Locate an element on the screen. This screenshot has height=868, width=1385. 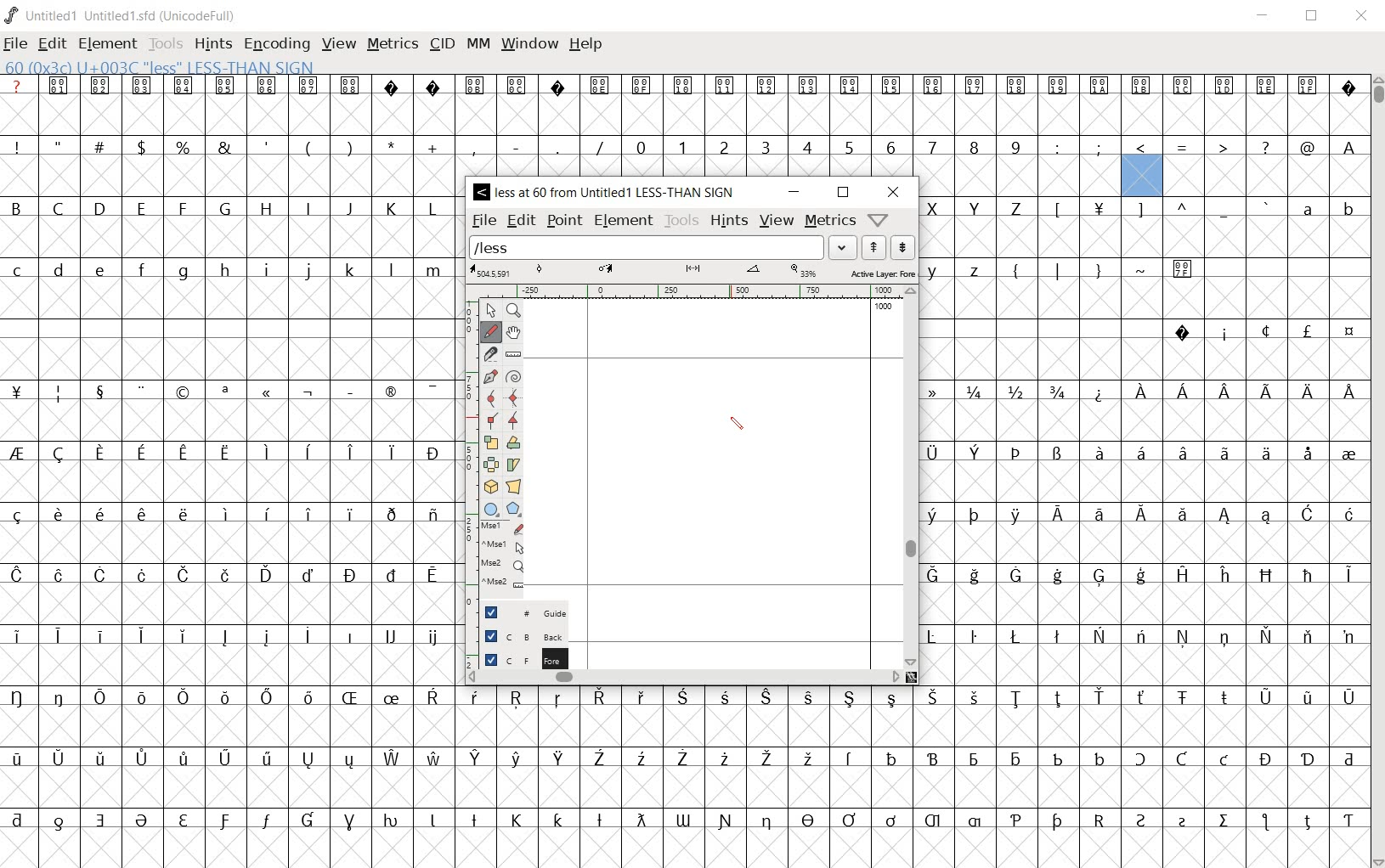
change whether spiro is active or not" is located at coordinates (512, 375).